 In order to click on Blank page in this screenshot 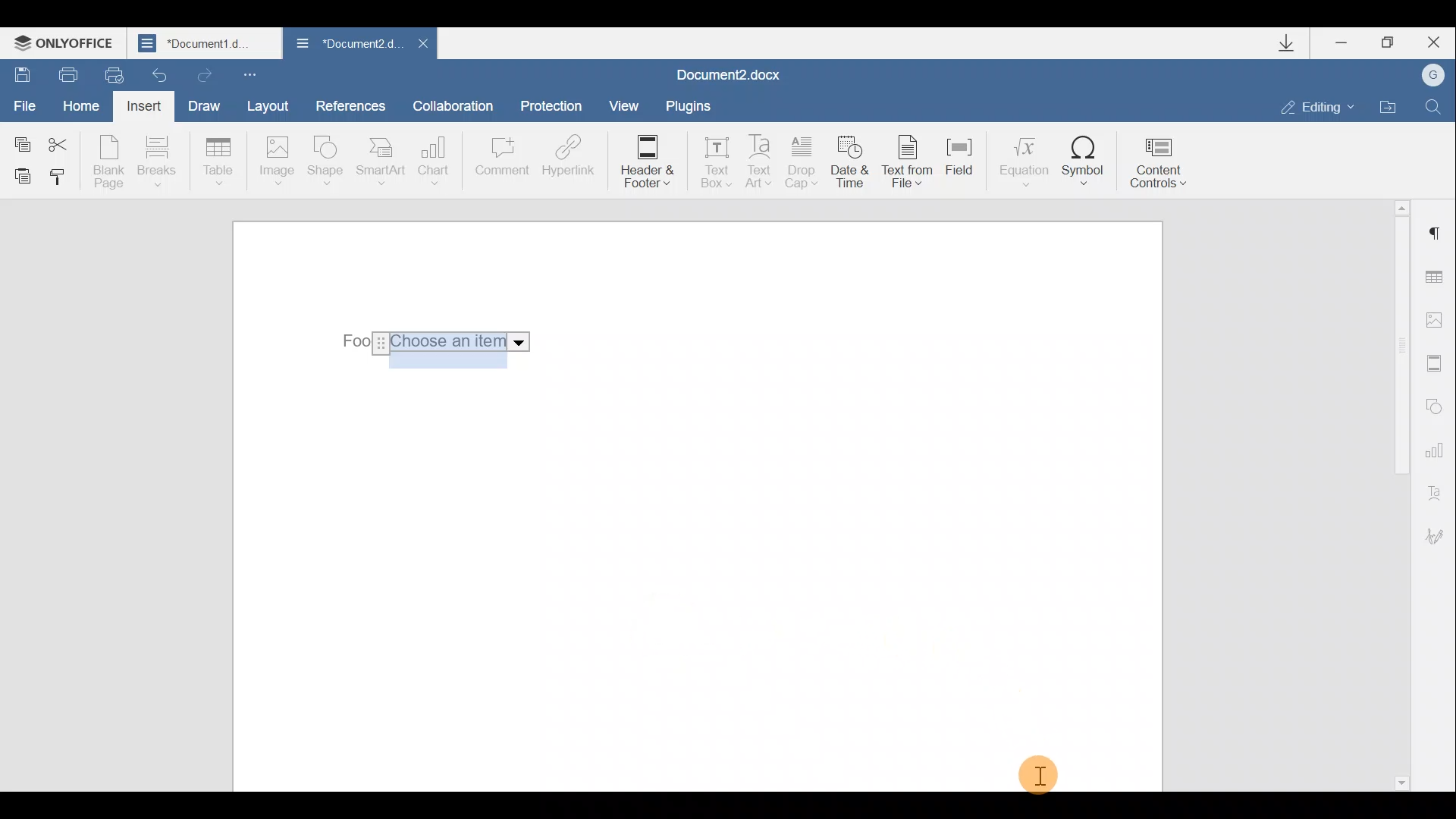, I will do `click(108, 162)`.